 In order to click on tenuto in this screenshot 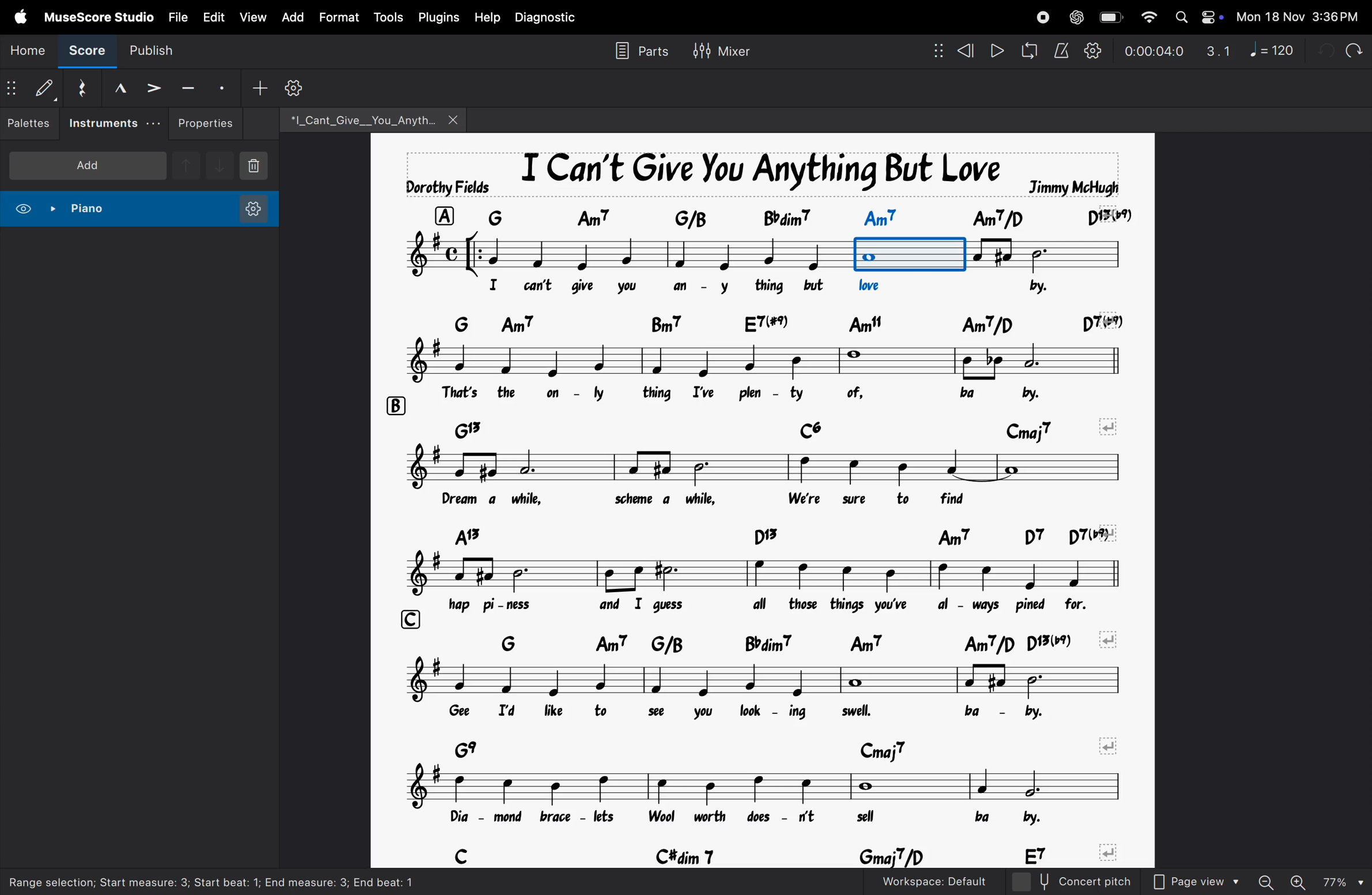, I will do `click(188, 87)`.